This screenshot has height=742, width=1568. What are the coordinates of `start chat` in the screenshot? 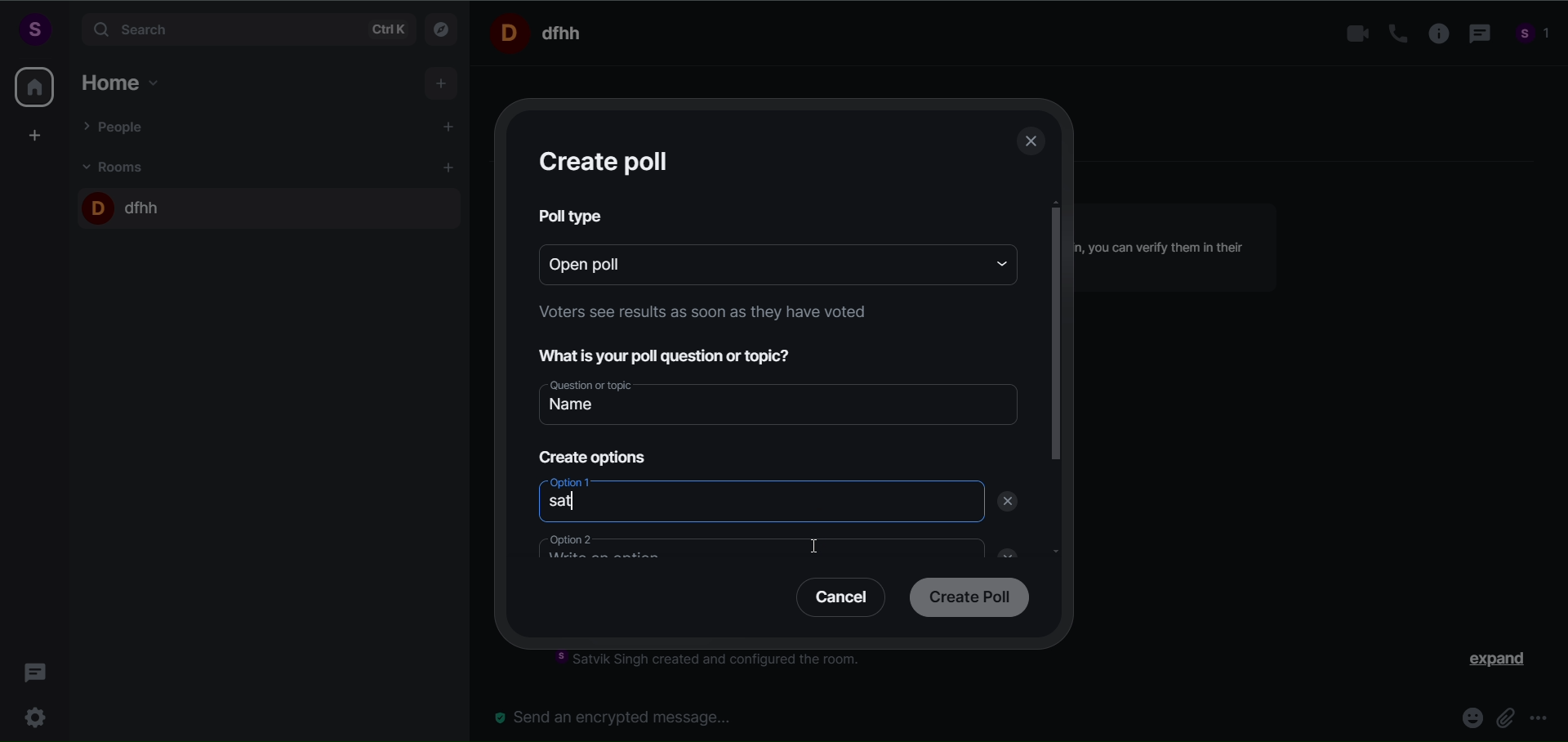 It's located at (450, 128).